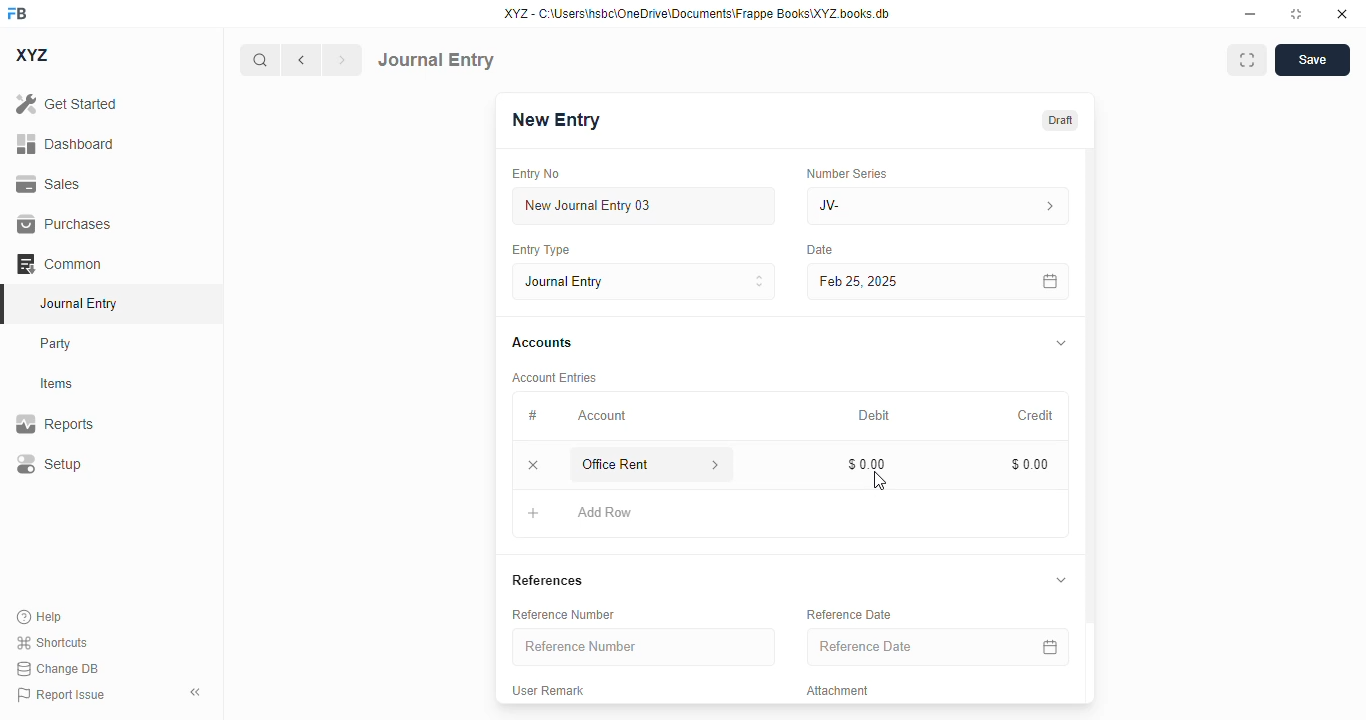 The height and width of the screenshot is (720, 1366). Describe the element at coordinates (875, 417) in the screenshot. I see `debit` at that location.